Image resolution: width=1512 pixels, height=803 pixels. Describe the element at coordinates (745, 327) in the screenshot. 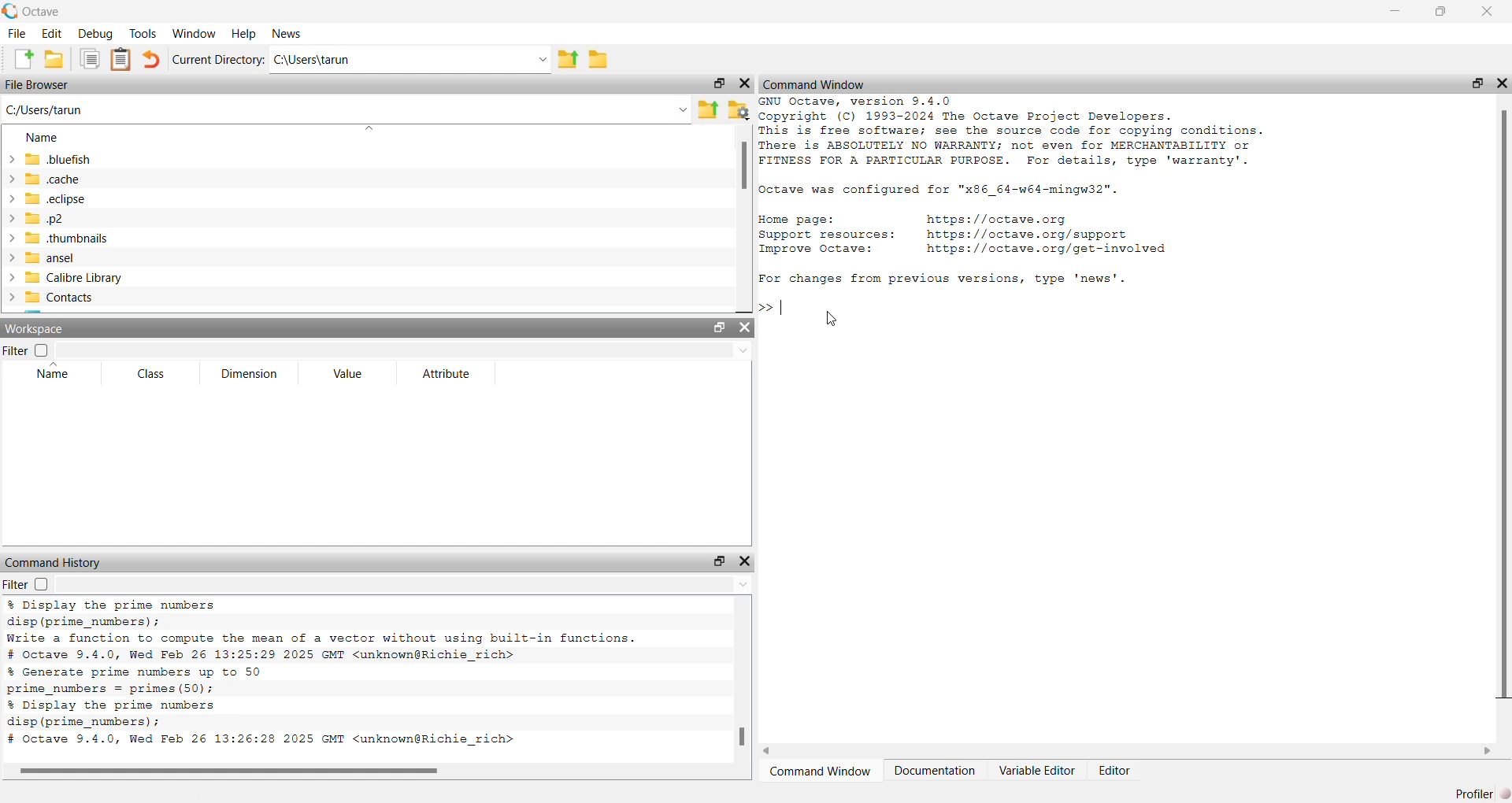

I see `close` at that location.